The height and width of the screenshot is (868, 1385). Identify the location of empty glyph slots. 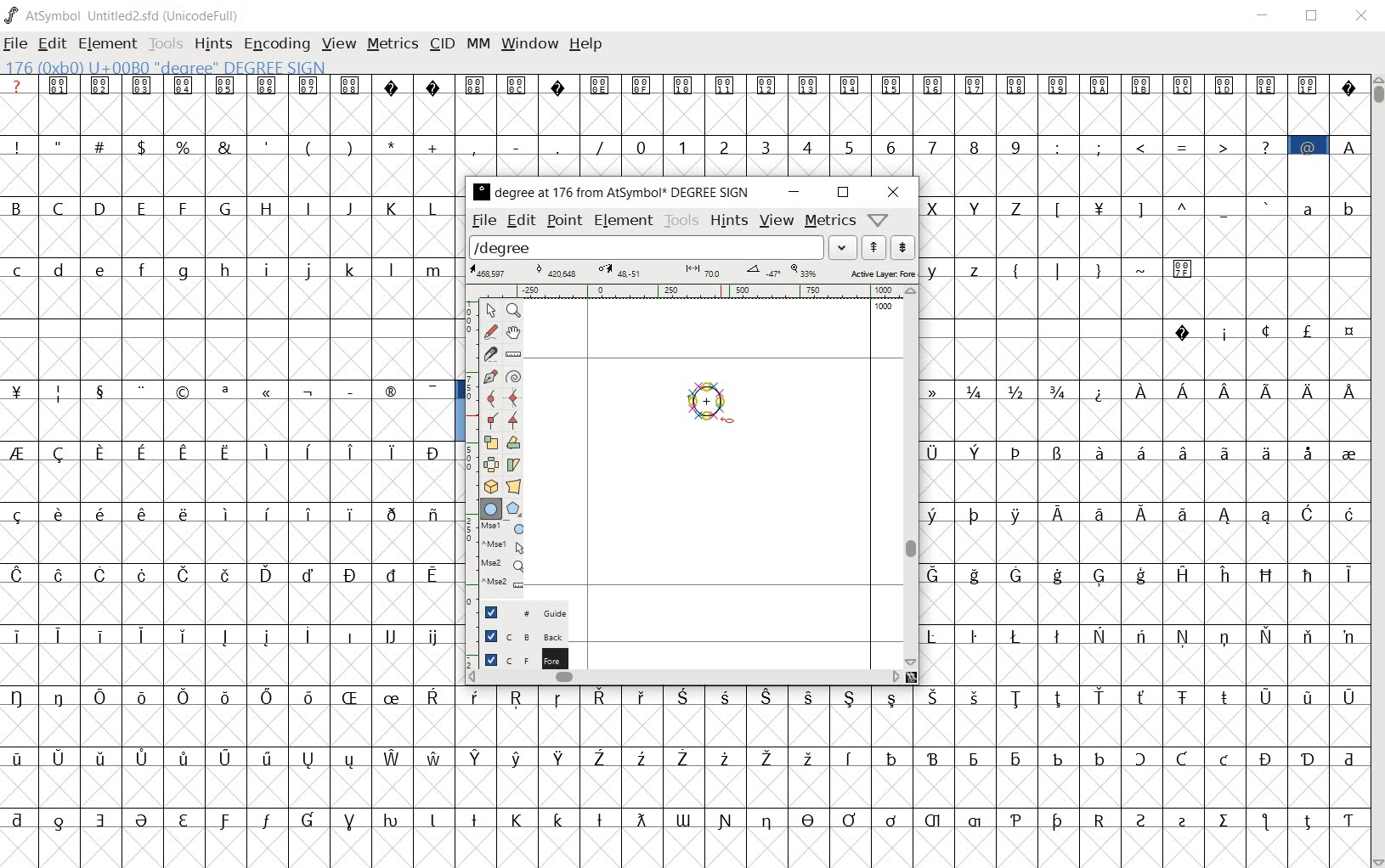
(911, 786).